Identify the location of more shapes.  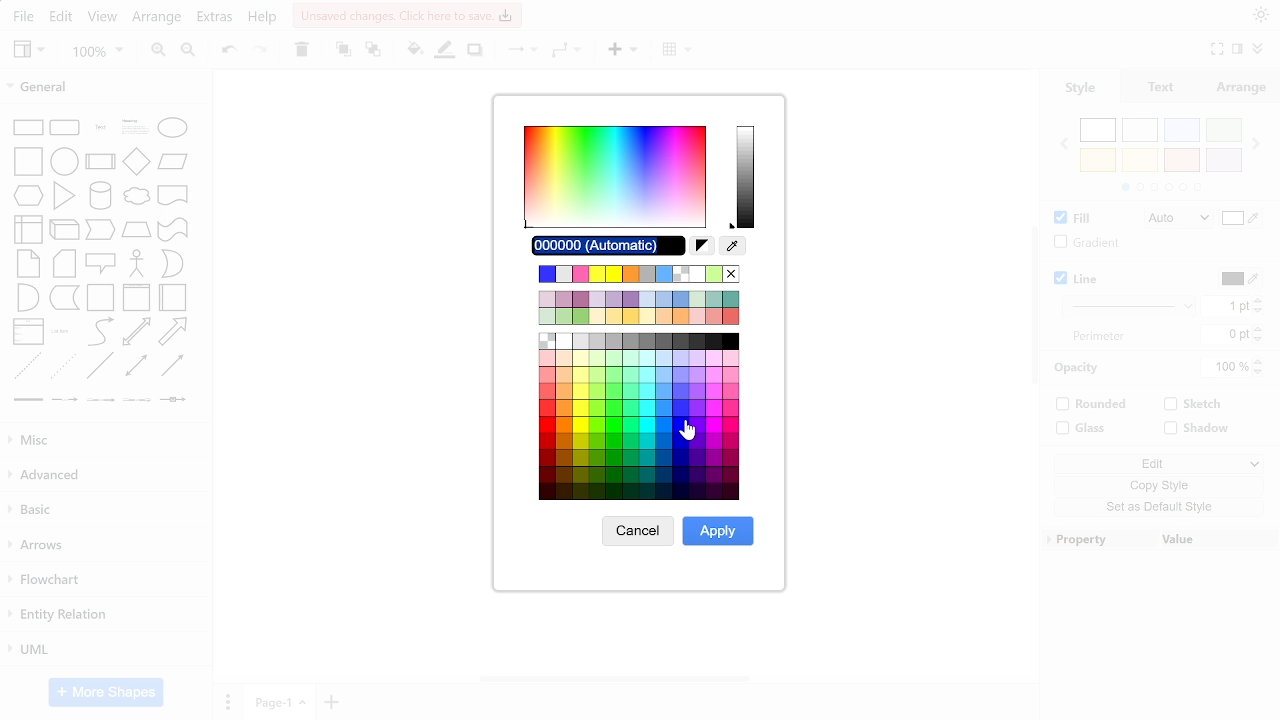
(107, 692).